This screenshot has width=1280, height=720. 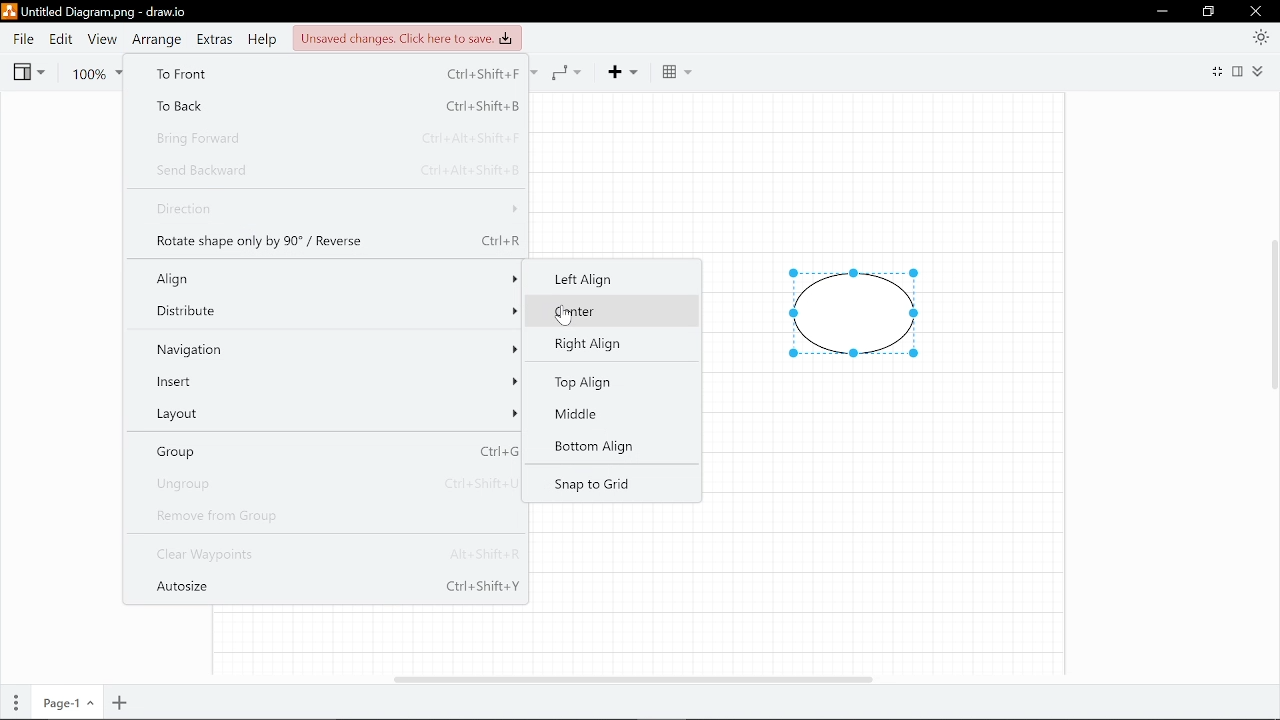 What do you see at coordinates (329, 75) in the screenshot?
I see `To front` at bounding box center [329, 75].